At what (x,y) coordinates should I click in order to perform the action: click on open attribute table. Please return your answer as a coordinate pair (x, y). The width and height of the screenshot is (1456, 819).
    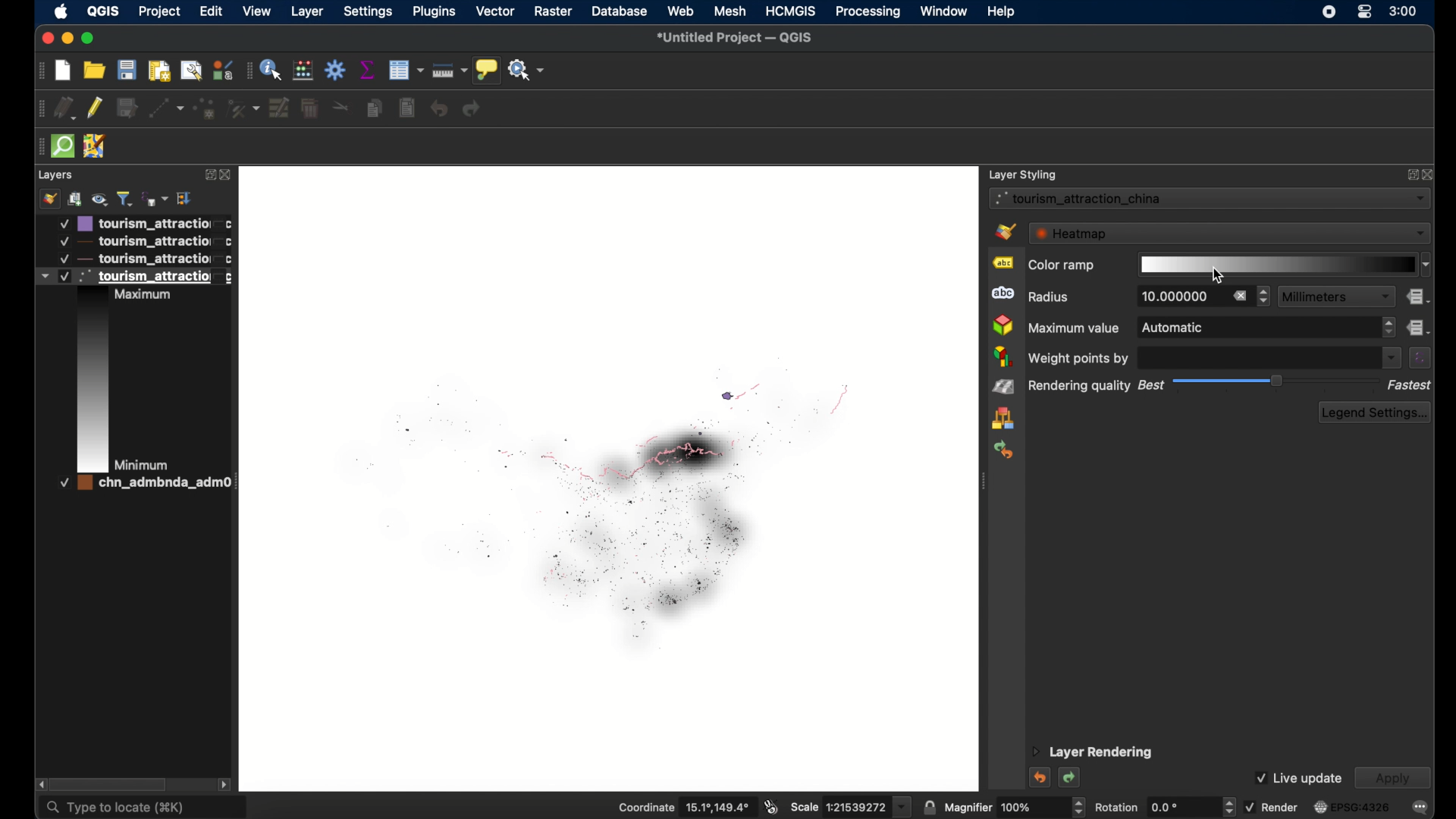
    Looking at the image, I should click on (407, 70).